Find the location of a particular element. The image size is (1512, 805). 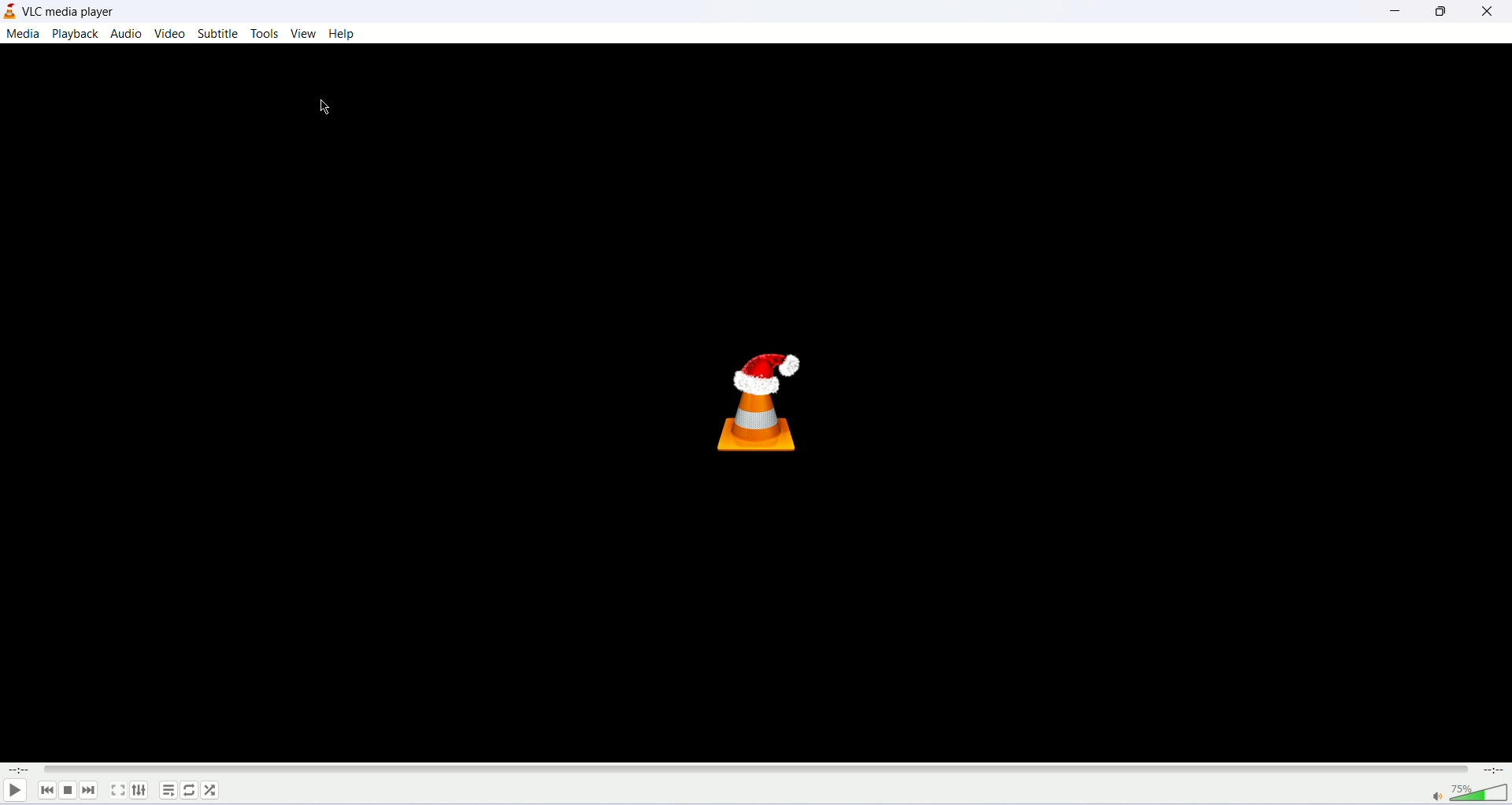

total time is located at coordinates (1492, 770).